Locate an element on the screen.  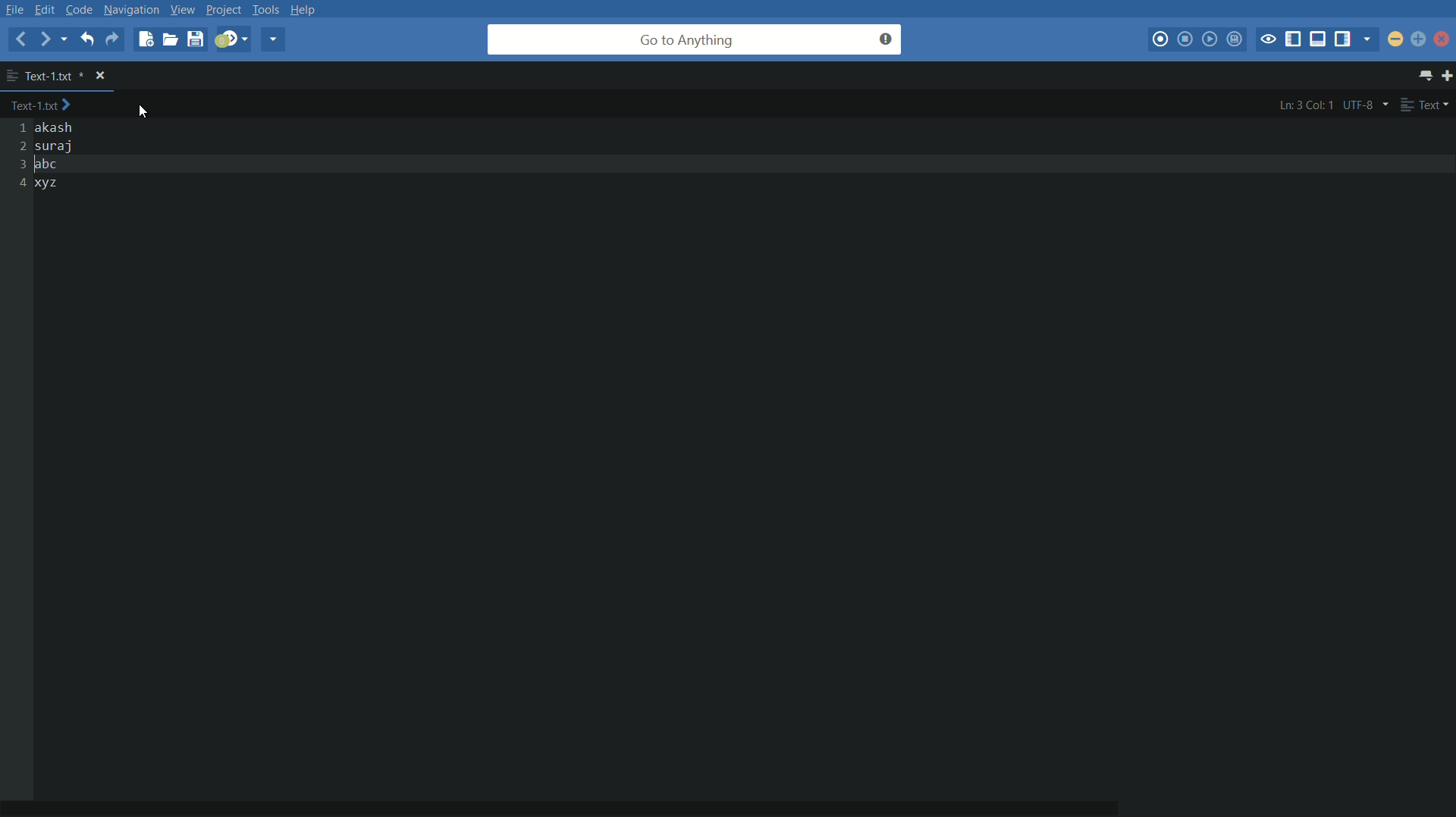
redo is located at coordinates (111, 38).